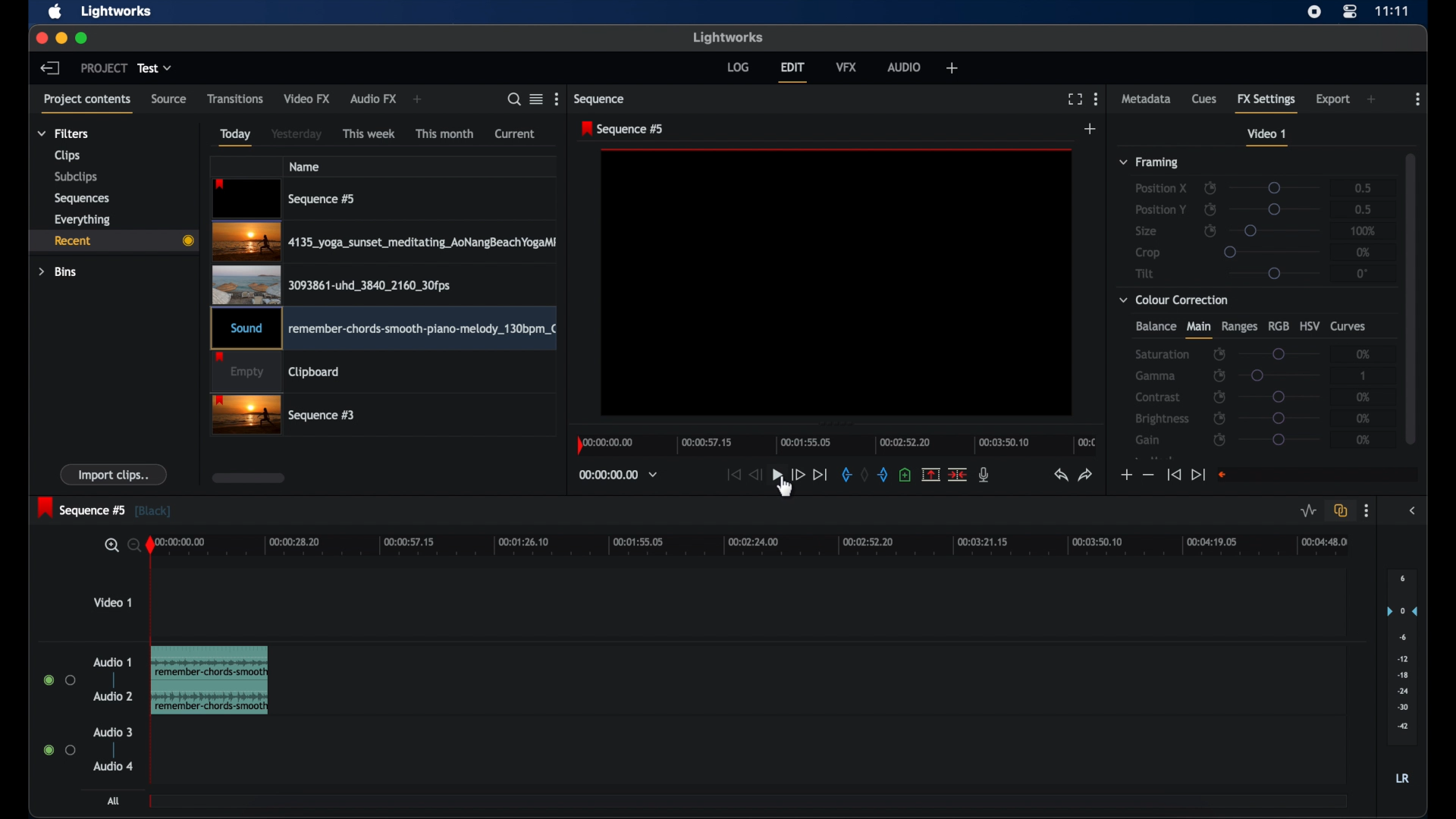  Describe the element at coordinates (1271, 251) in the screenshot. I see `slider` at that location.